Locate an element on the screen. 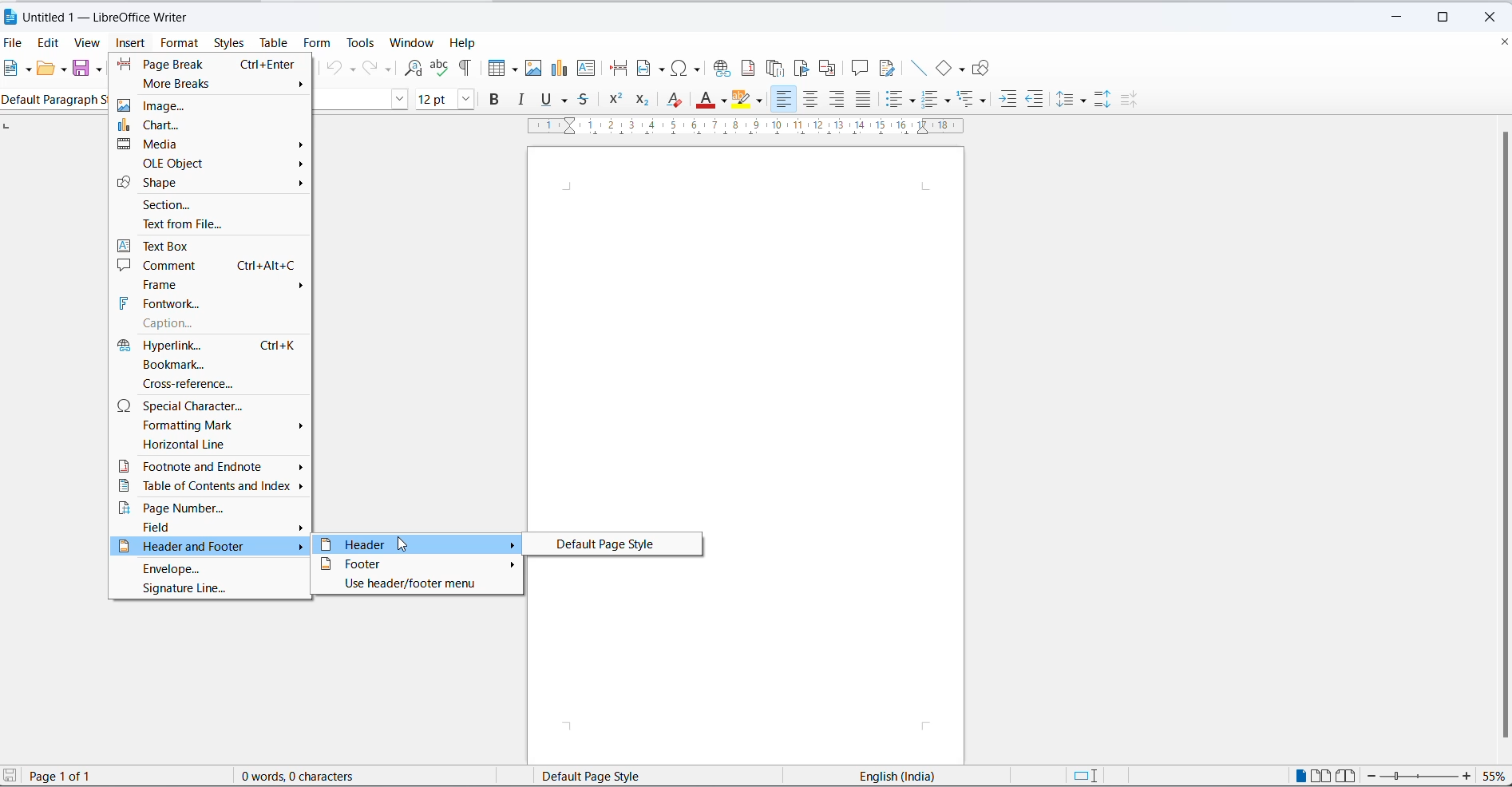  text box is located at coordinates (214, 244).